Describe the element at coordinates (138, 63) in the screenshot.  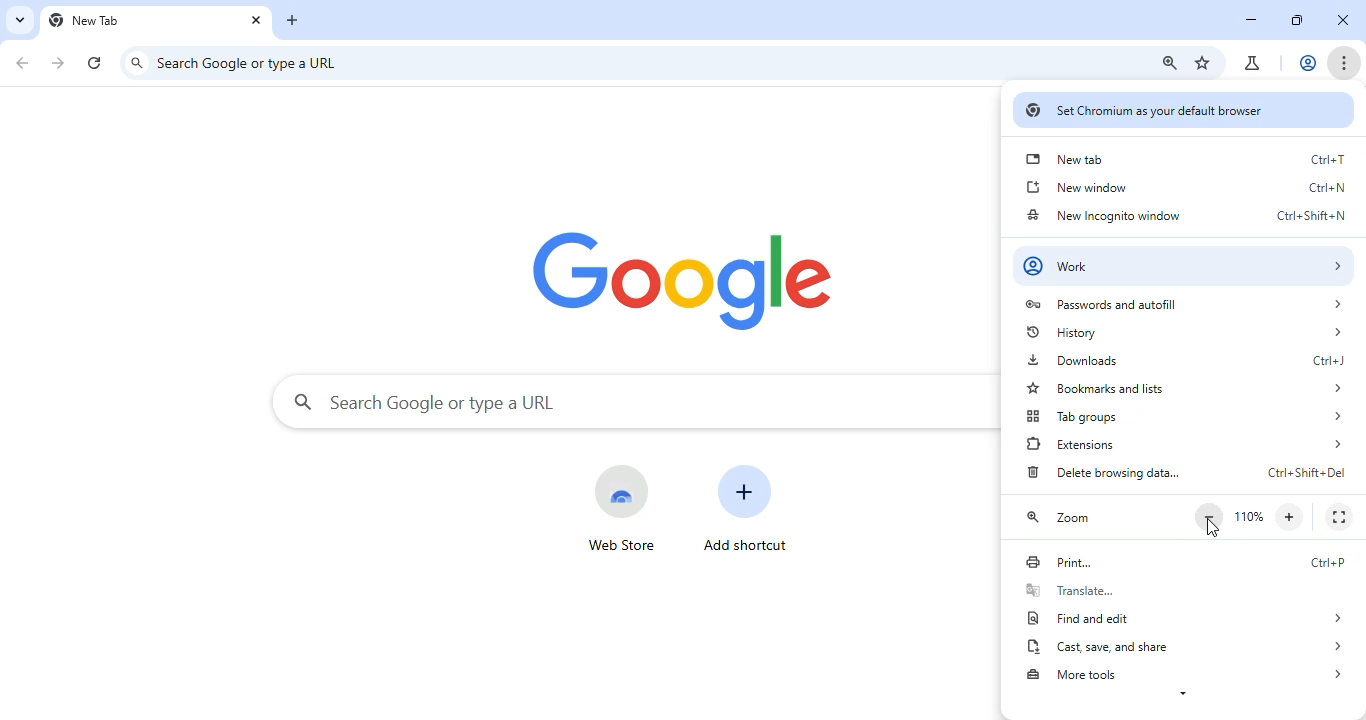
I see `search icon` at that location.